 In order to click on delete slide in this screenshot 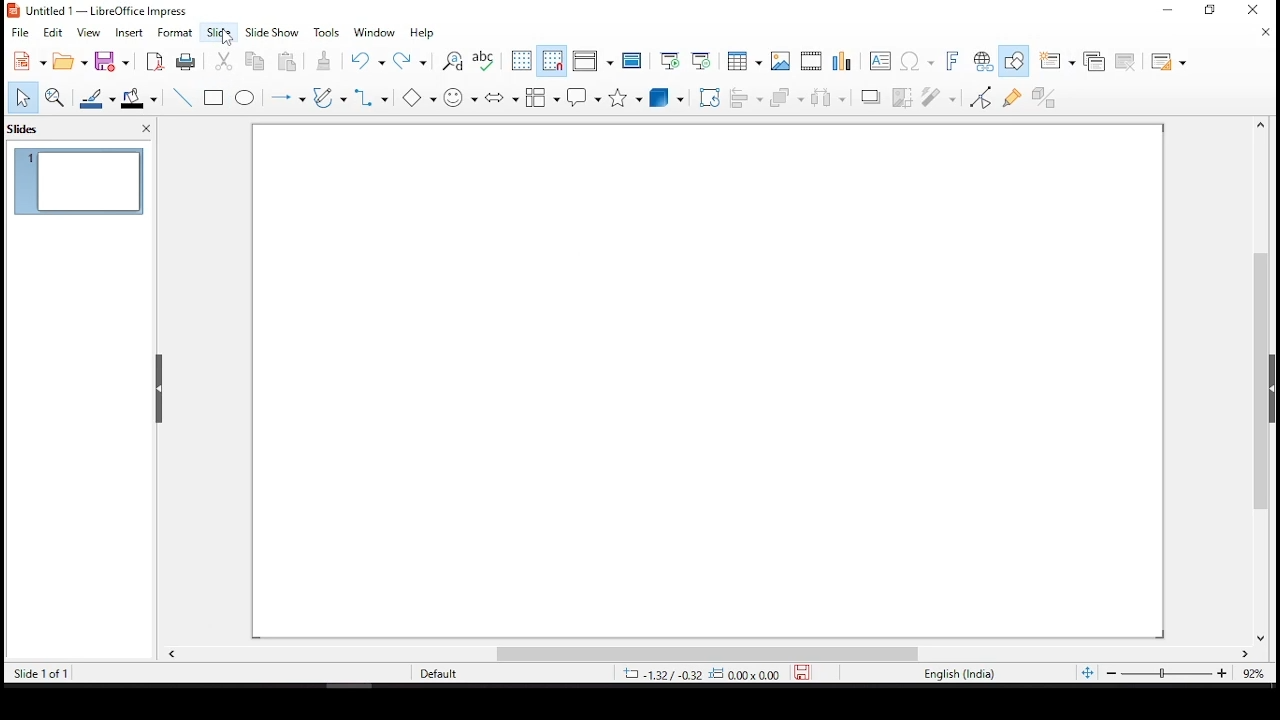, I will do `click(1123, 60)`.